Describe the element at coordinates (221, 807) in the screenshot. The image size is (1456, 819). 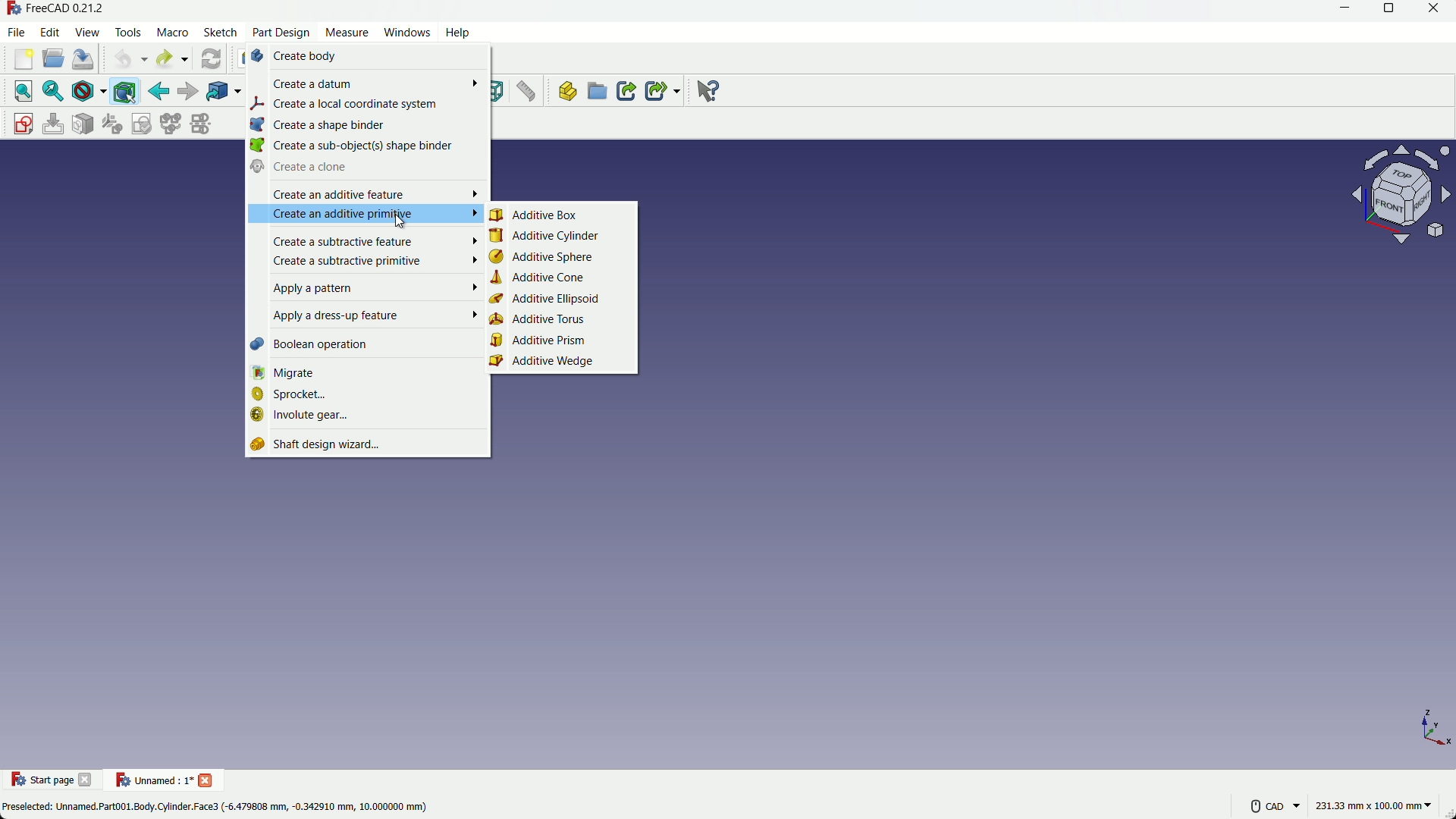
I see `` at that location.